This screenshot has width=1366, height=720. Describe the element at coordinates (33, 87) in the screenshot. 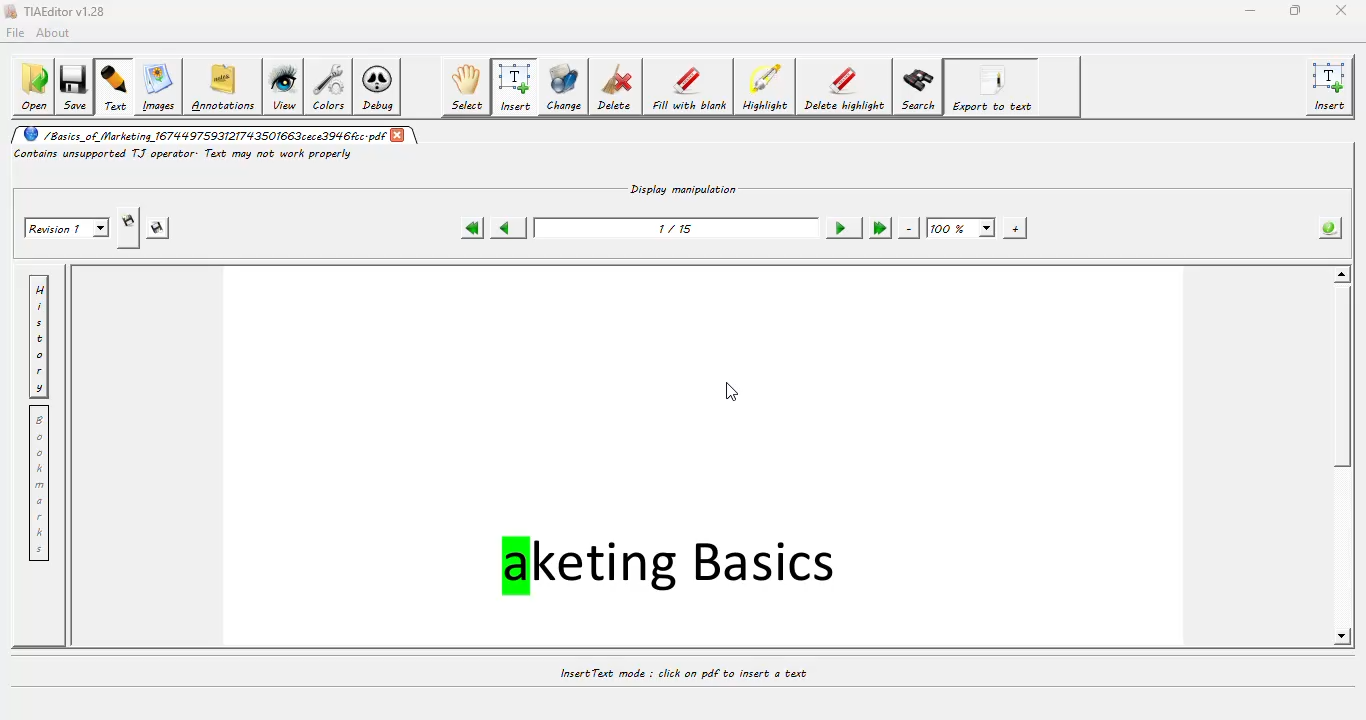

I see `open` at that location.